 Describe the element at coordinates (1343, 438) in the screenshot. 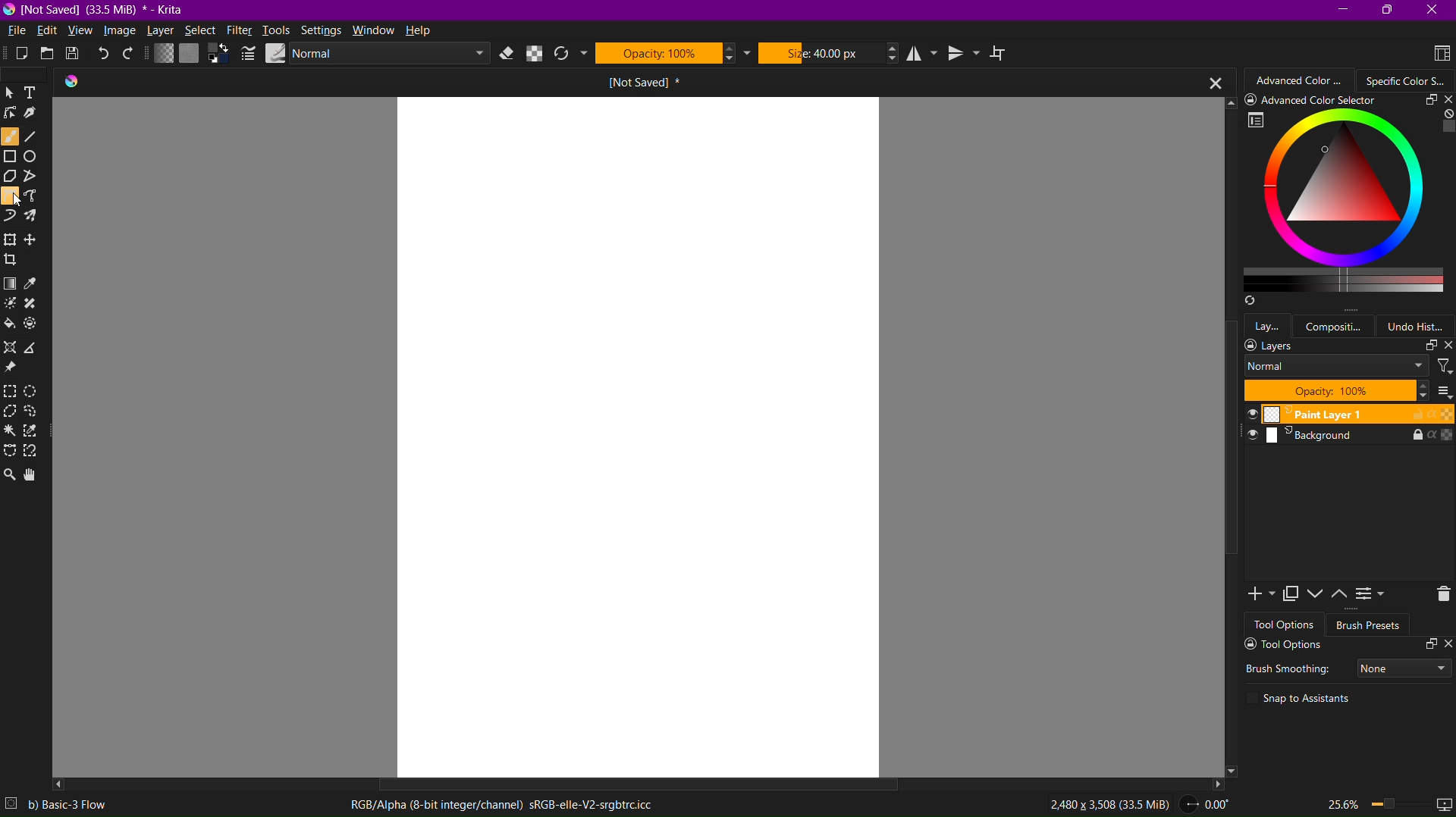

I see `Background ` at that location.